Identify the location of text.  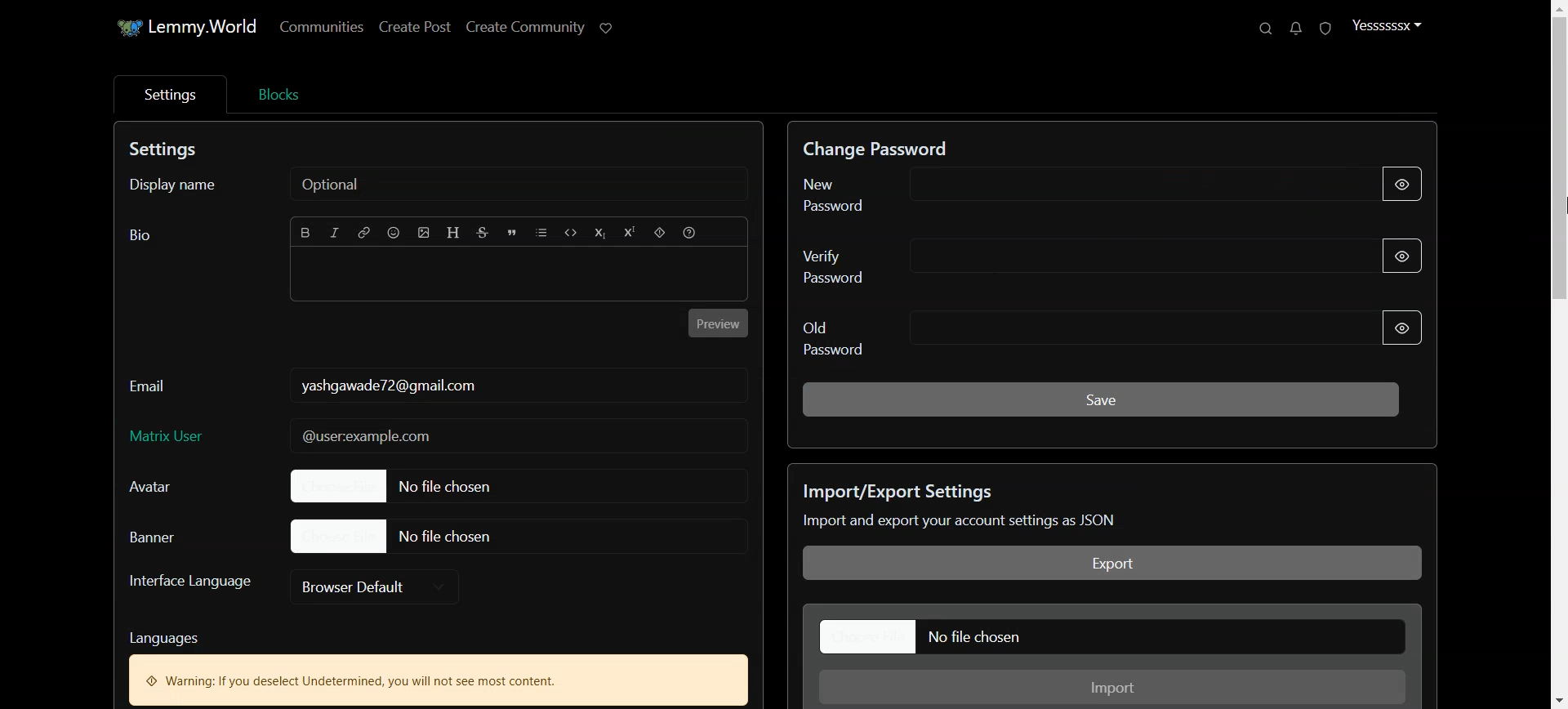
(179, 635).